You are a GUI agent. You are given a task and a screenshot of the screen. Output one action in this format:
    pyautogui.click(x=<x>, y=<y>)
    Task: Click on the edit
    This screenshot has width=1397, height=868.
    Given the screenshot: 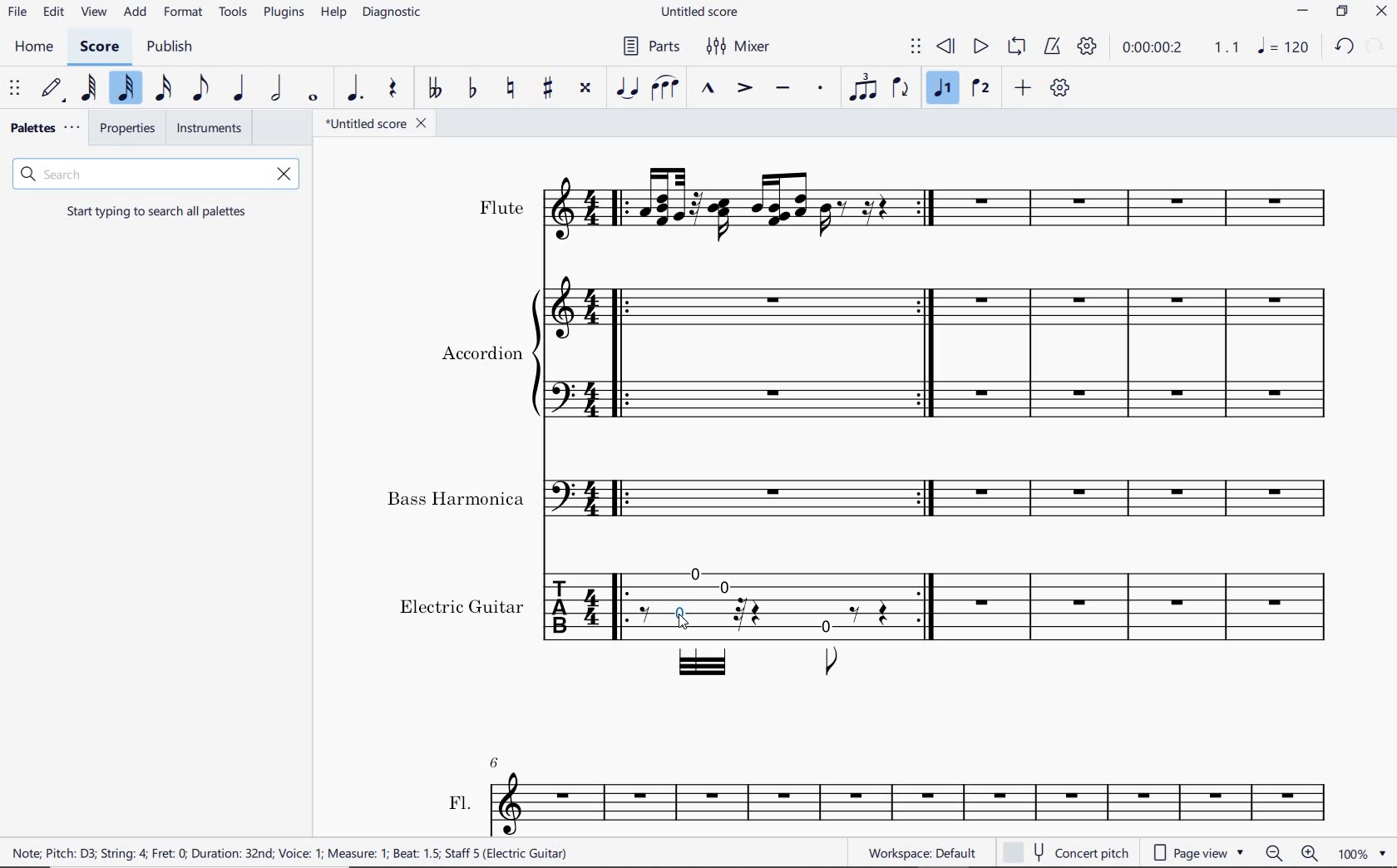 What is the action you would take?
    pyautogui.click(x=53, y=14)
    